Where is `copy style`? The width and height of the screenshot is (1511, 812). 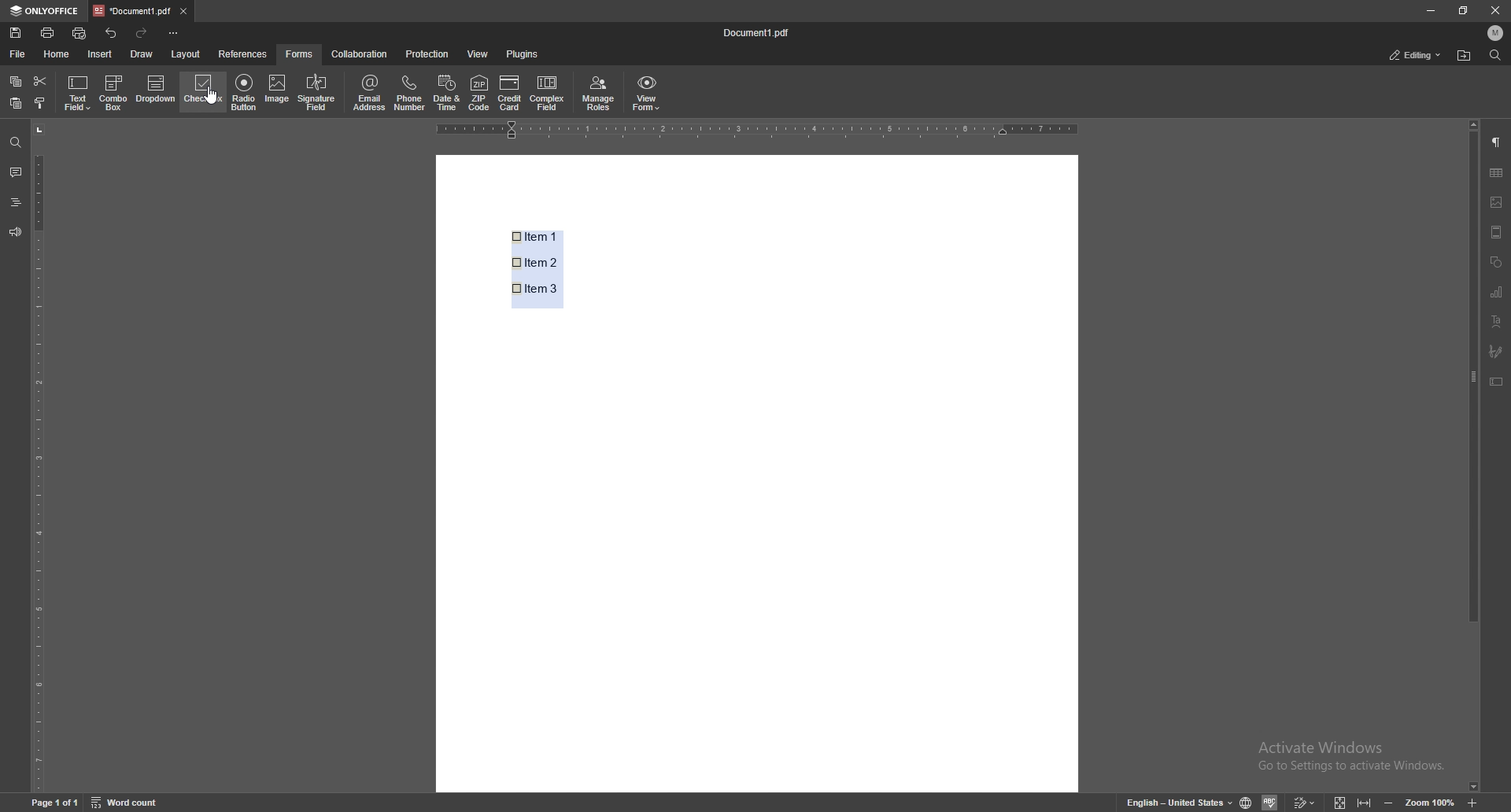
copy style is located at coordinates (41, 102).